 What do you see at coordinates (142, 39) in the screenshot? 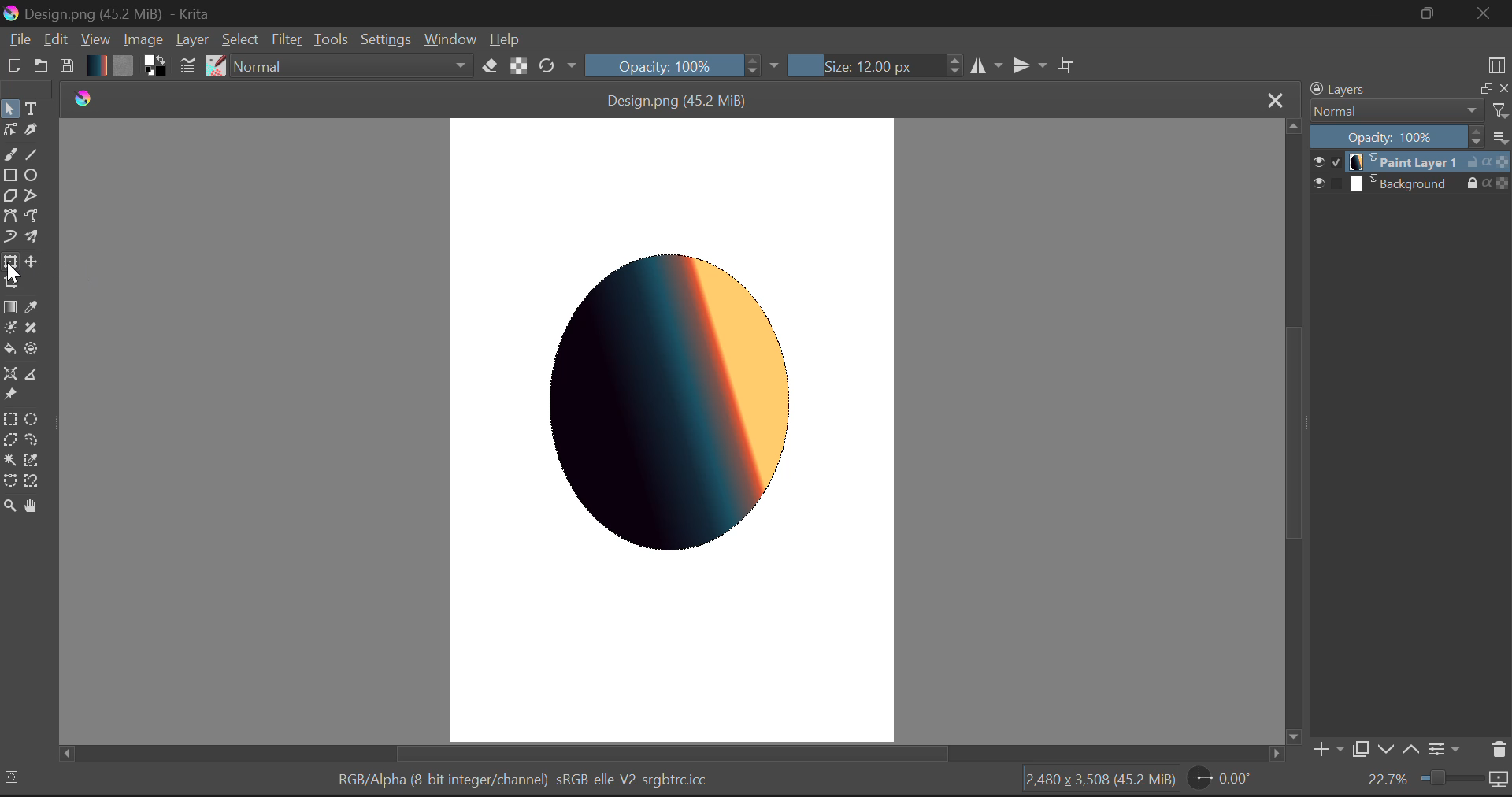
I see `Image` at bounding box center [142, 39].